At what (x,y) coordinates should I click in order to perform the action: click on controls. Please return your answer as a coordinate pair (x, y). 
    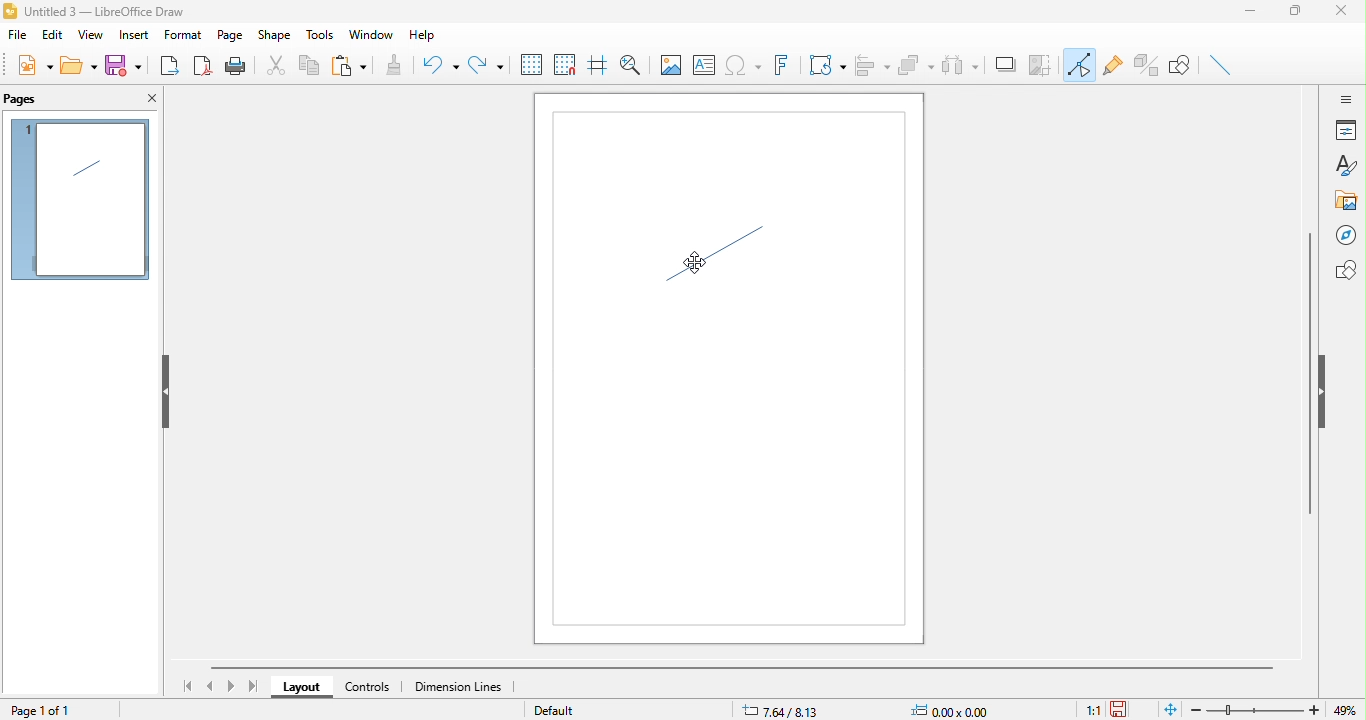
    Looking at the image, I should click on (368, 689).